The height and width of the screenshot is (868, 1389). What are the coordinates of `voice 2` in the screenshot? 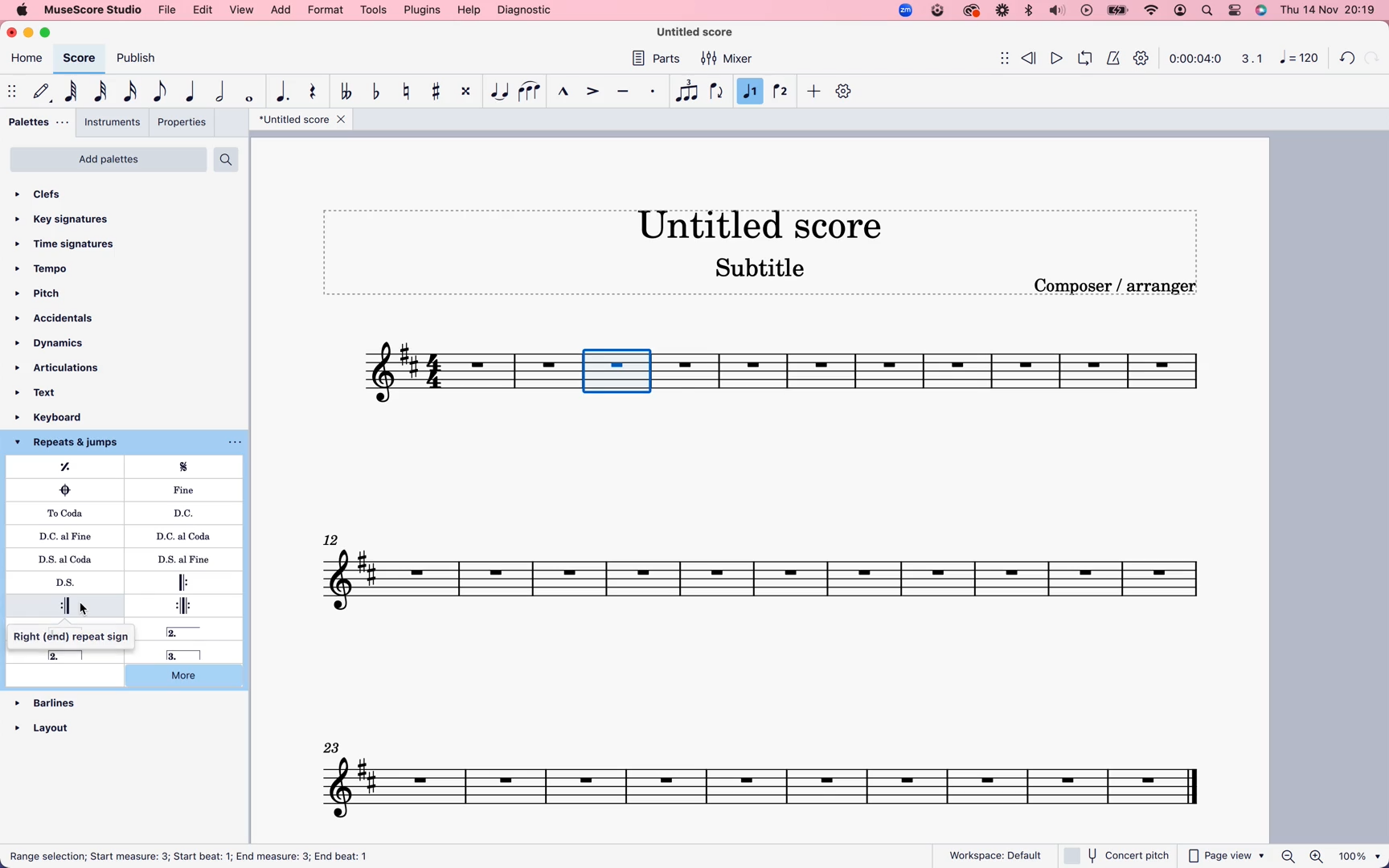 It's located at (782, 90).